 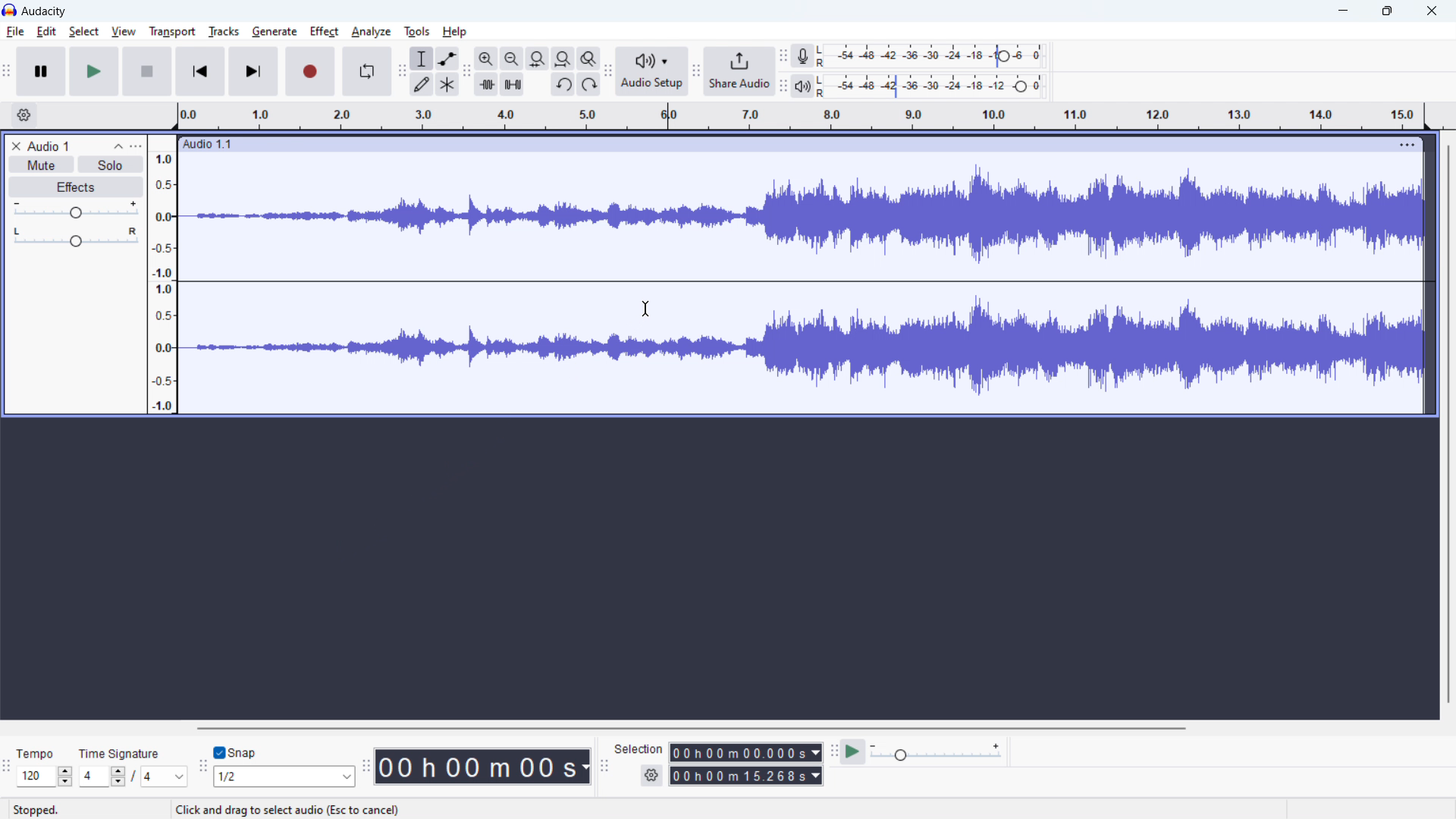 What do you see at coordinates (940, 87) in the screenshot?
I see `playback level` at bounding box center [940, 87].